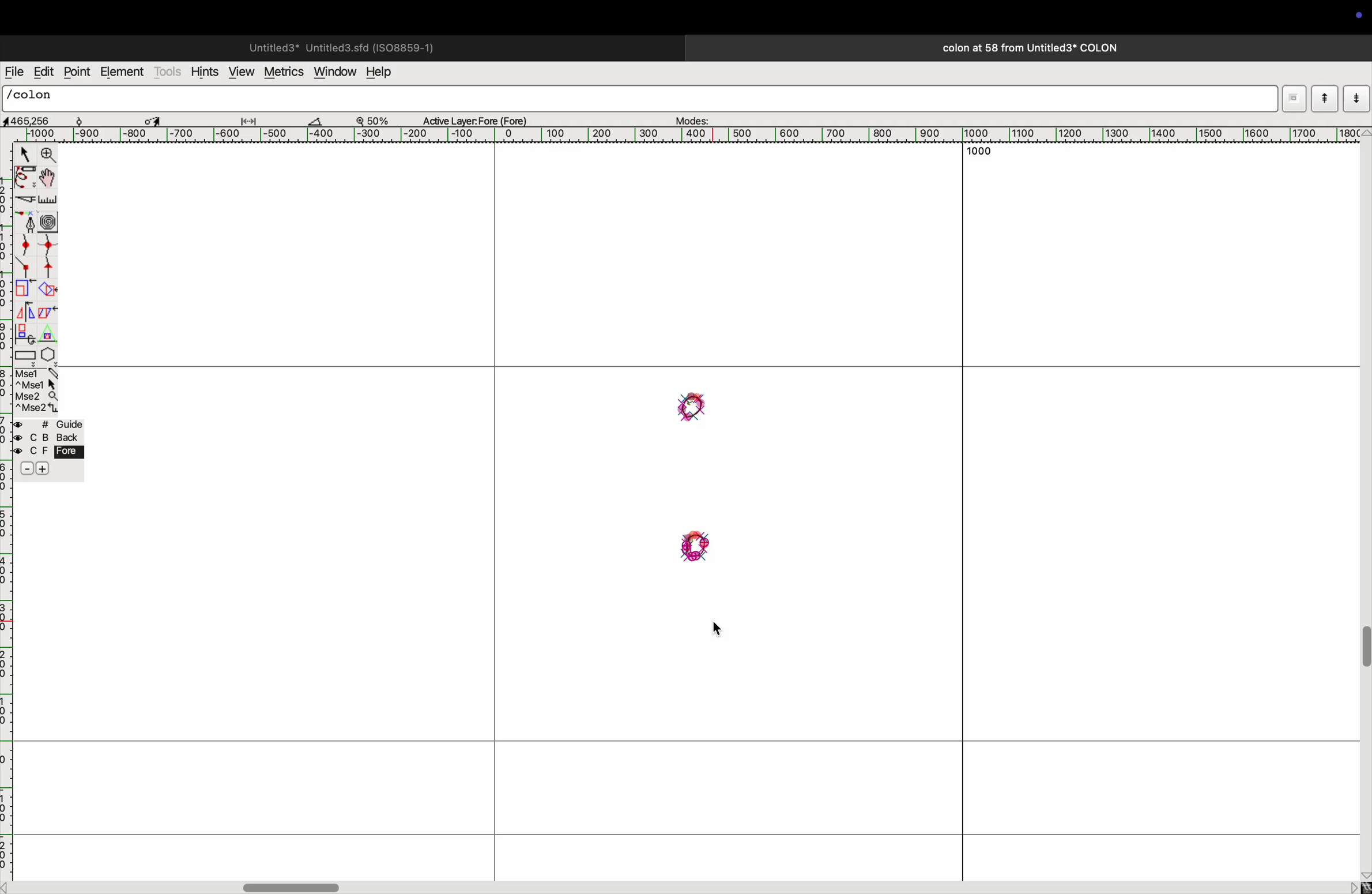 This screenshot has width=1372, height=894. What do you see at coordinates (282, 72) in the screenshot?
I see `metrics` at bounding box center [282, 72].